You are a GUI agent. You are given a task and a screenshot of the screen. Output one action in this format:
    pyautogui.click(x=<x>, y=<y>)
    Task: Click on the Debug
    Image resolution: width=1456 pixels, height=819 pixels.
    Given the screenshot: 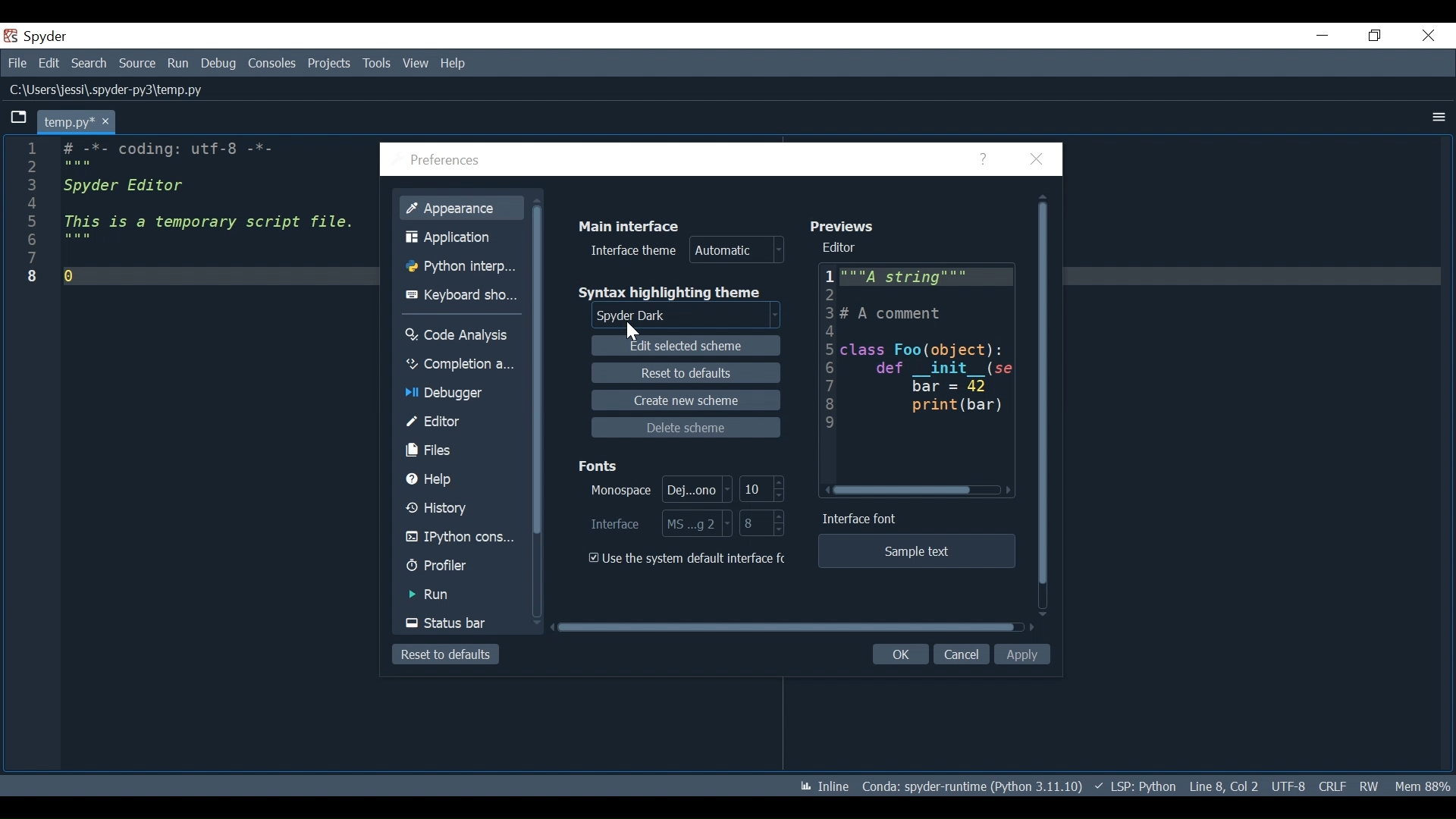 What is the action you would take?
    pyautogui.click(x=218, y=63)
    